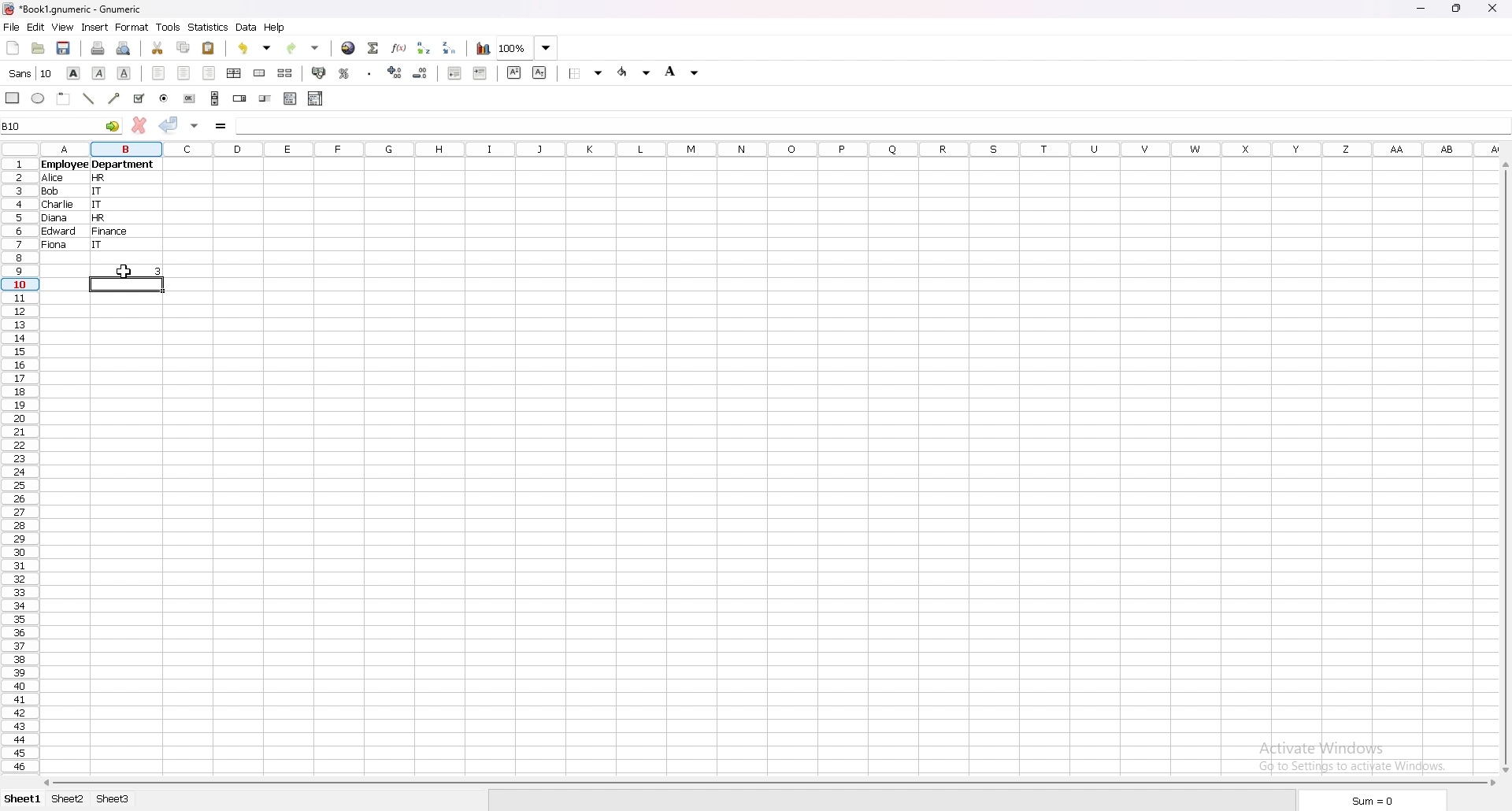  I want to click on minimize, so click(1421, 9).